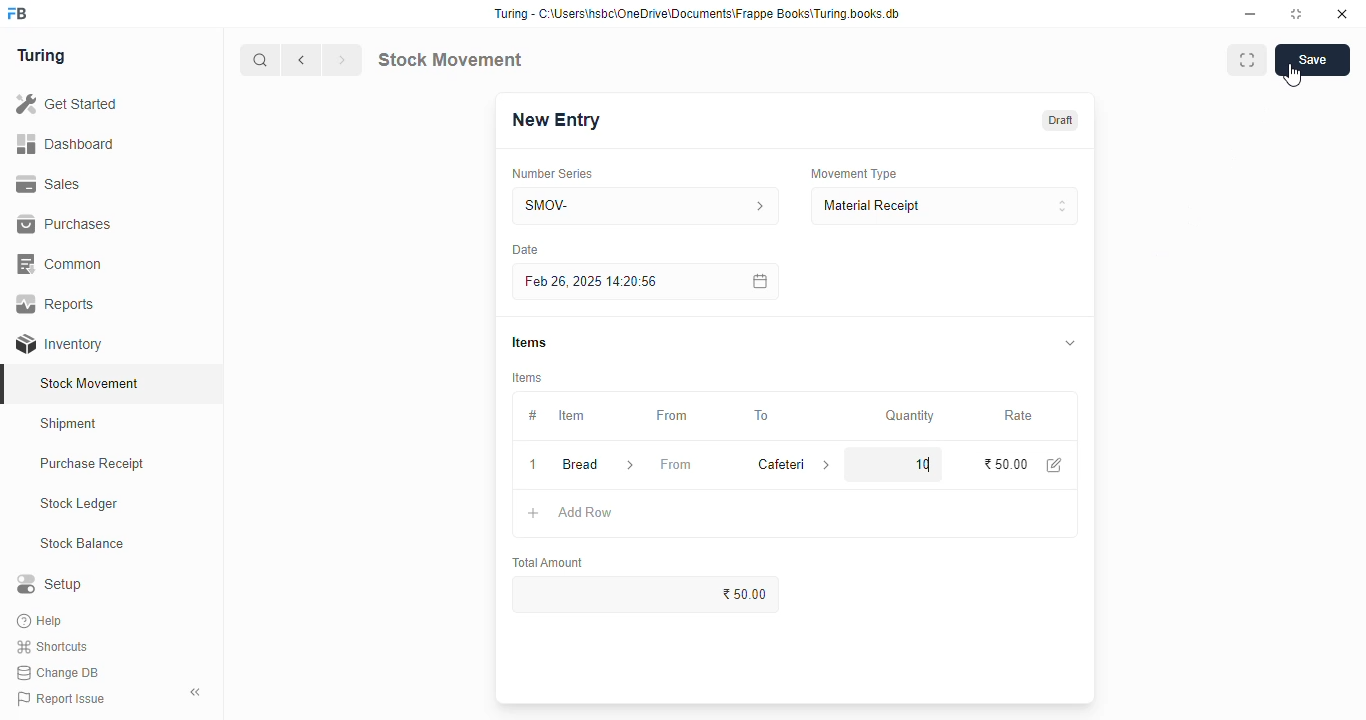  I want to click on turing, so click(42, 56).